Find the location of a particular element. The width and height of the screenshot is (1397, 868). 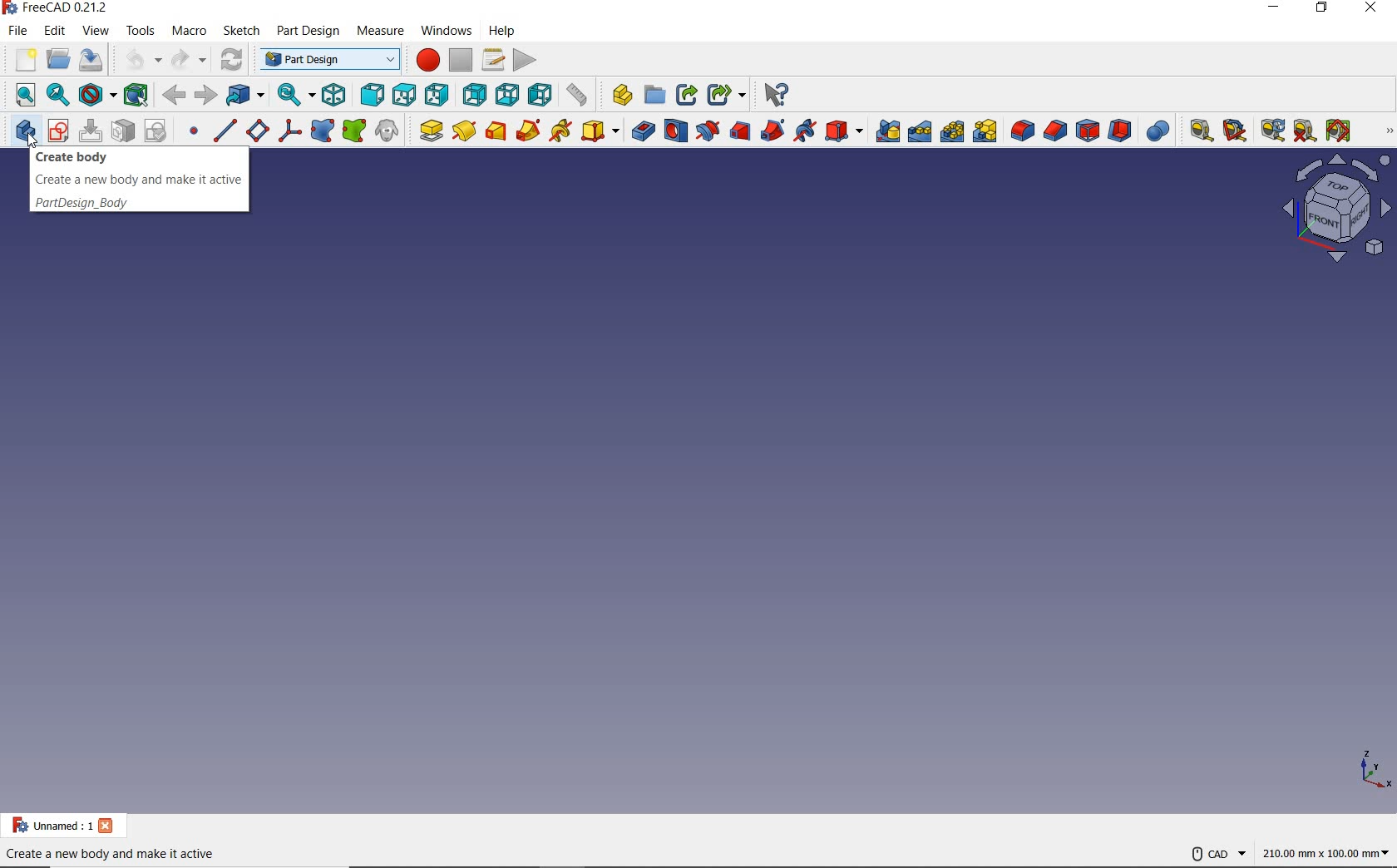

back is located at coordinates (175, 95).